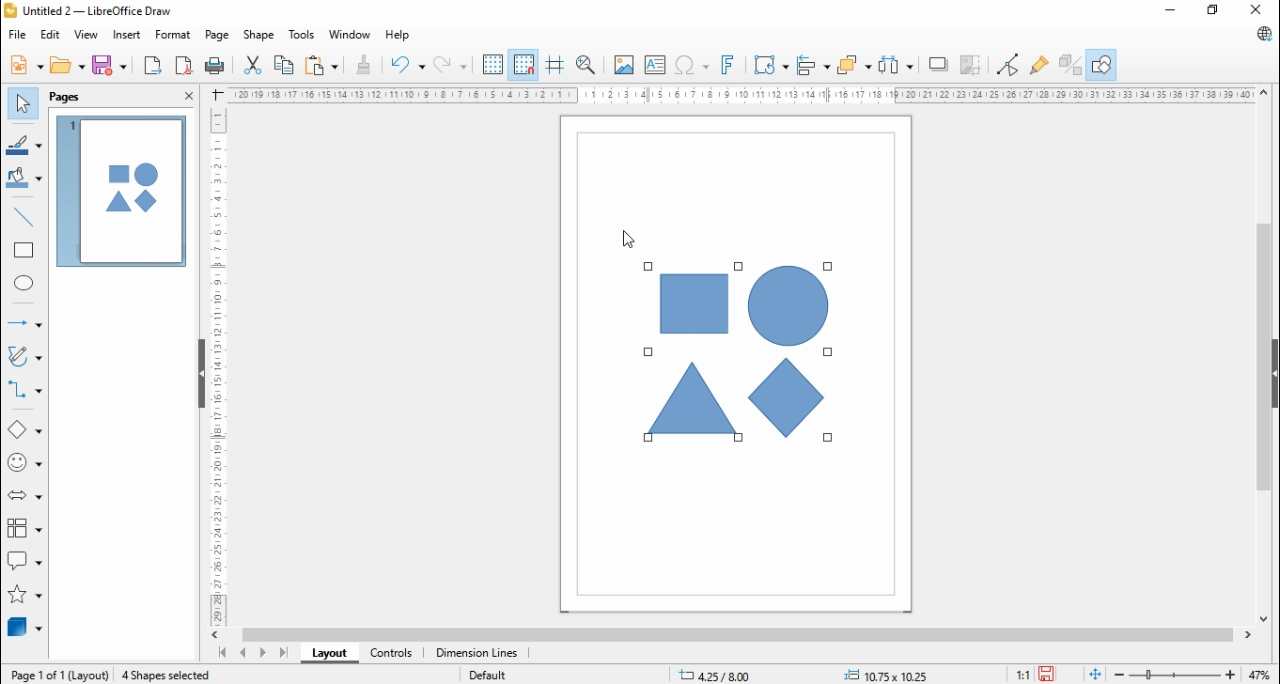  What do you see at coordinates (22, 323) in the screenshot?
I see `lines and arrows` at bounding box center [22, 323].